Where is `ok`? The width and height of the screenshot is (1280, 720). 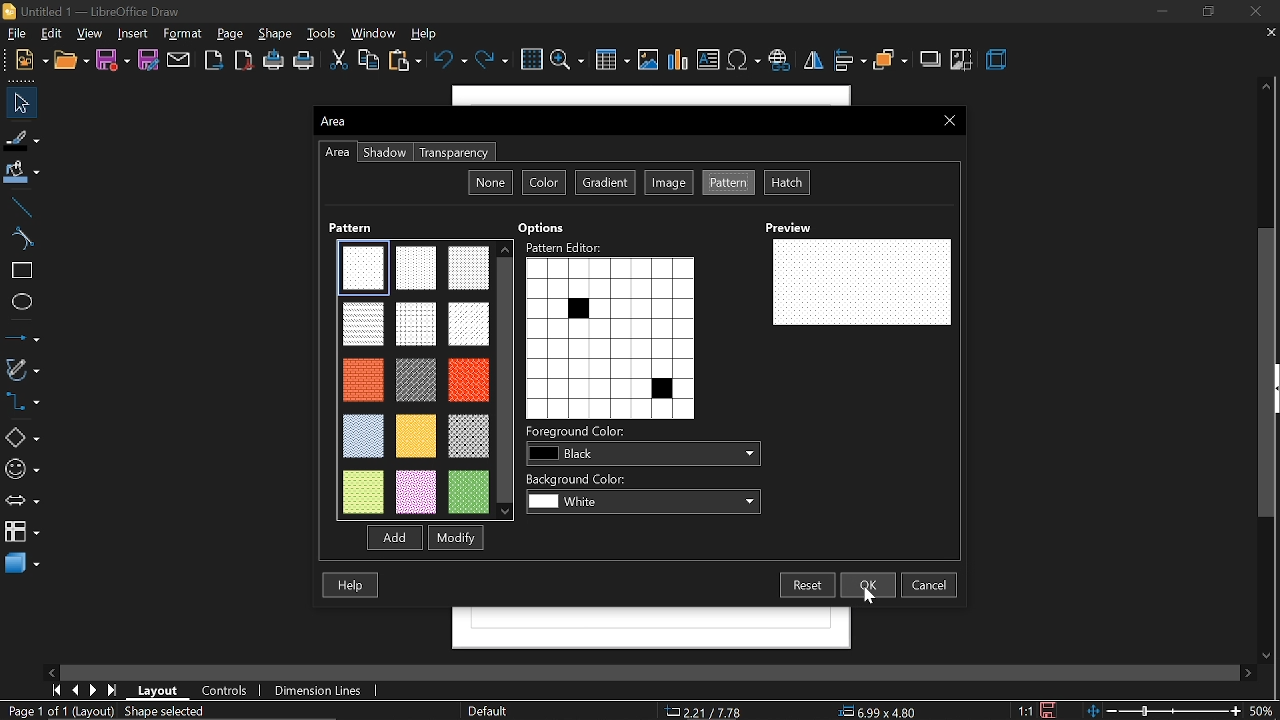
ok is located at coordinates (870, 584).